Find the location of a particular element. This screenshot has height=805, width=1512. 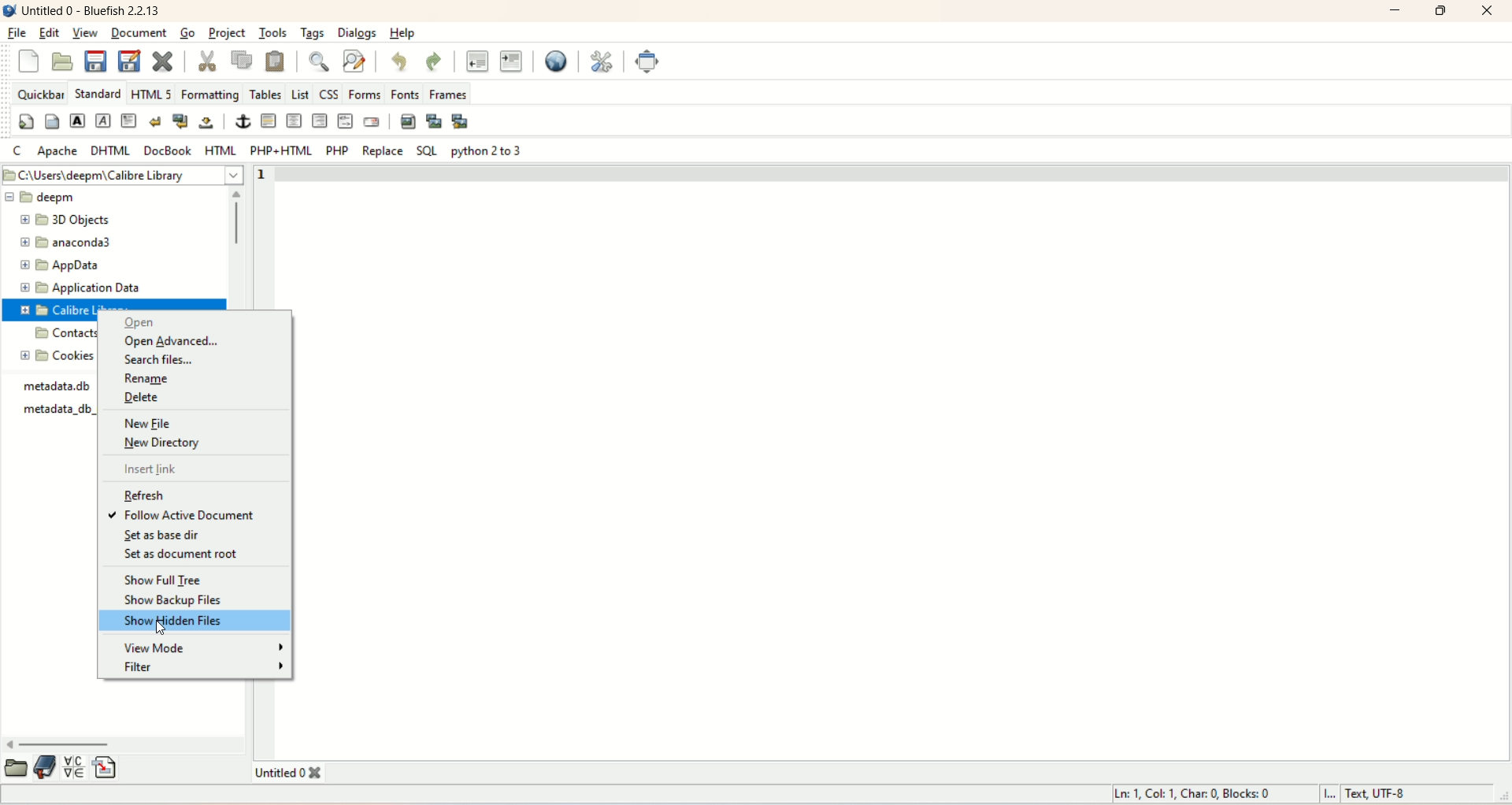

help is located at coordinates (401, 35).